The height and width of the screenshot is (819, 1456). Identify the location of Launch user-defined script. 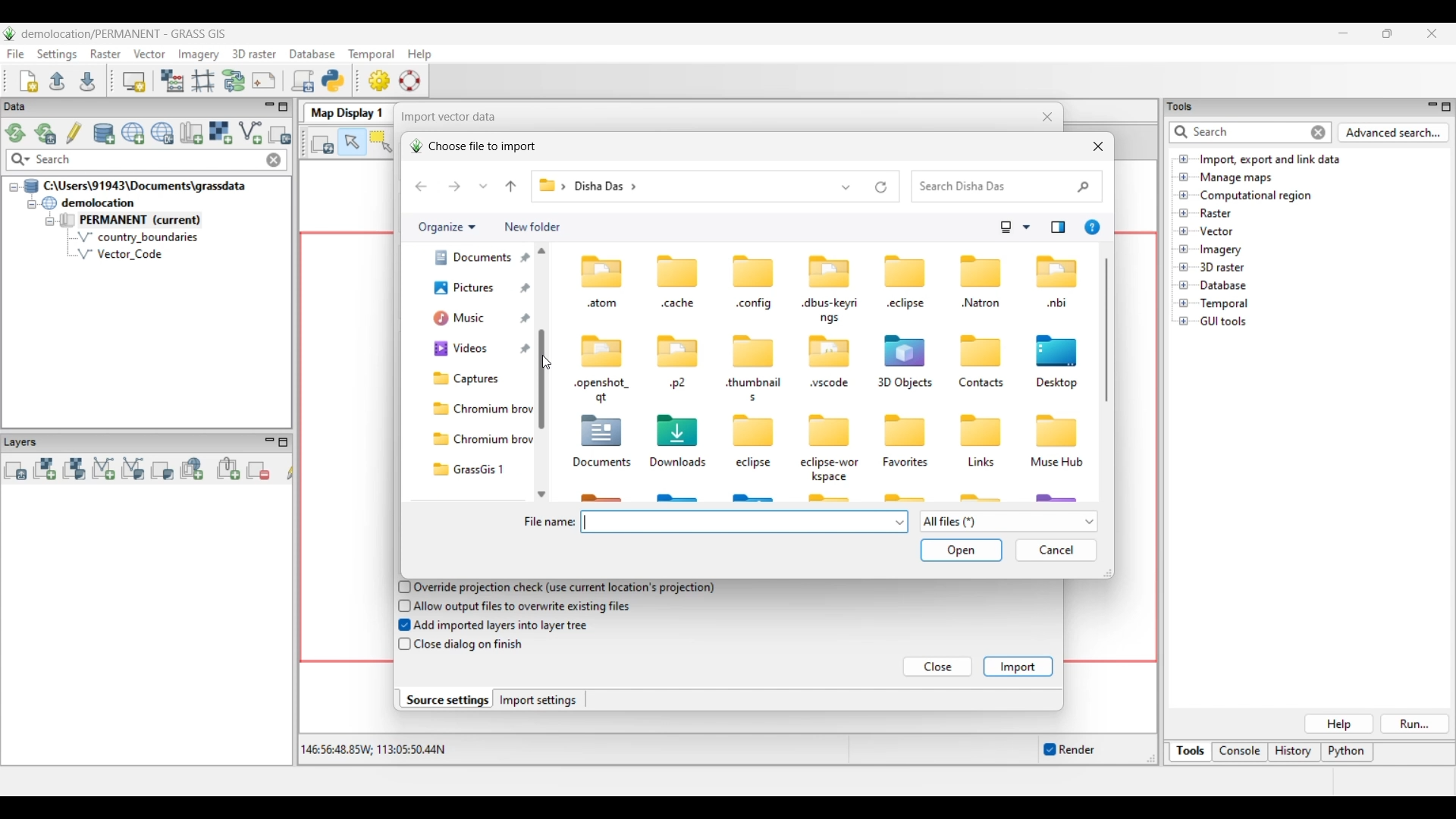
(303, 80).